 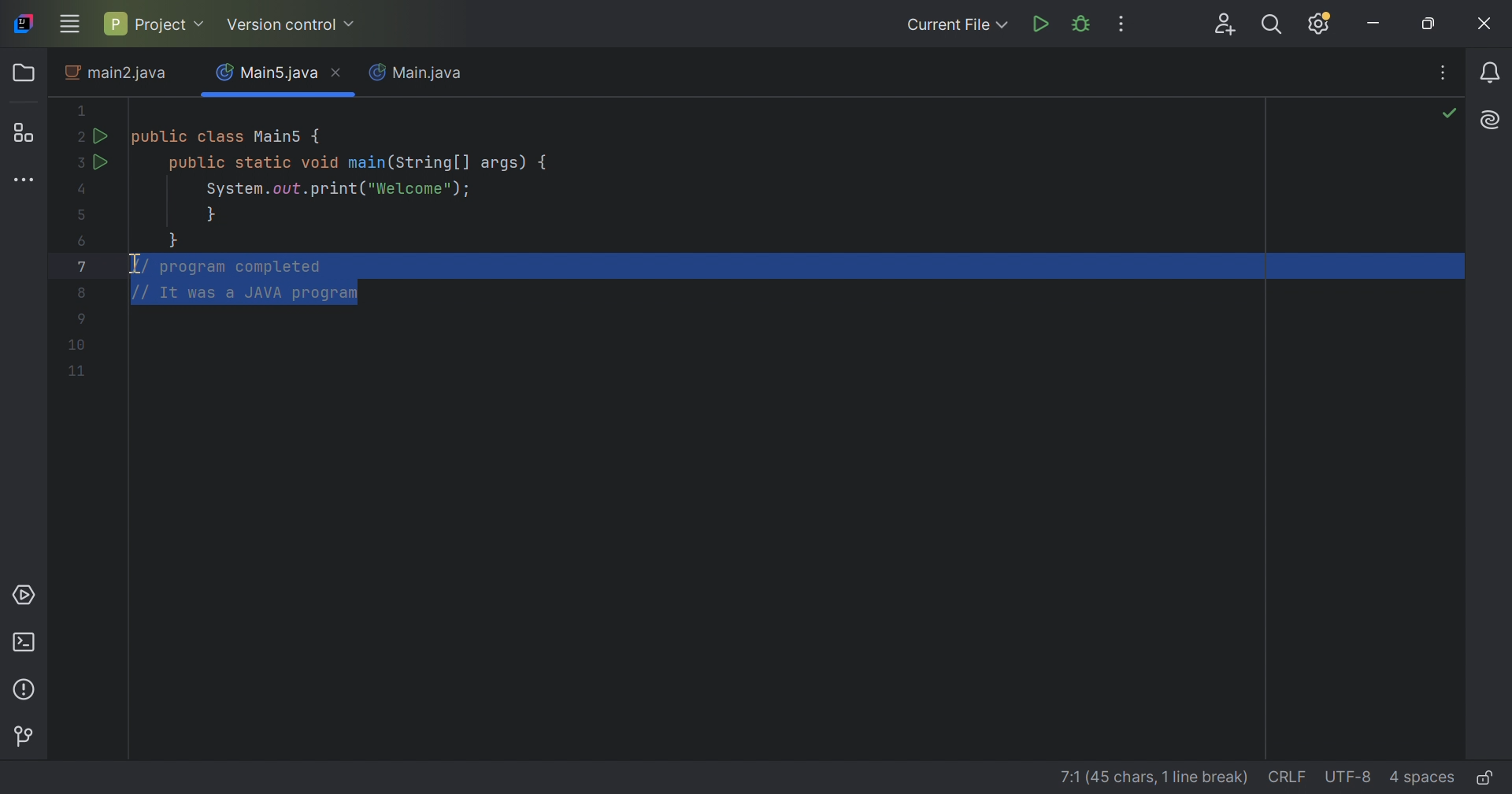 I want to click on Code with me, so click(x=1226, y=24).